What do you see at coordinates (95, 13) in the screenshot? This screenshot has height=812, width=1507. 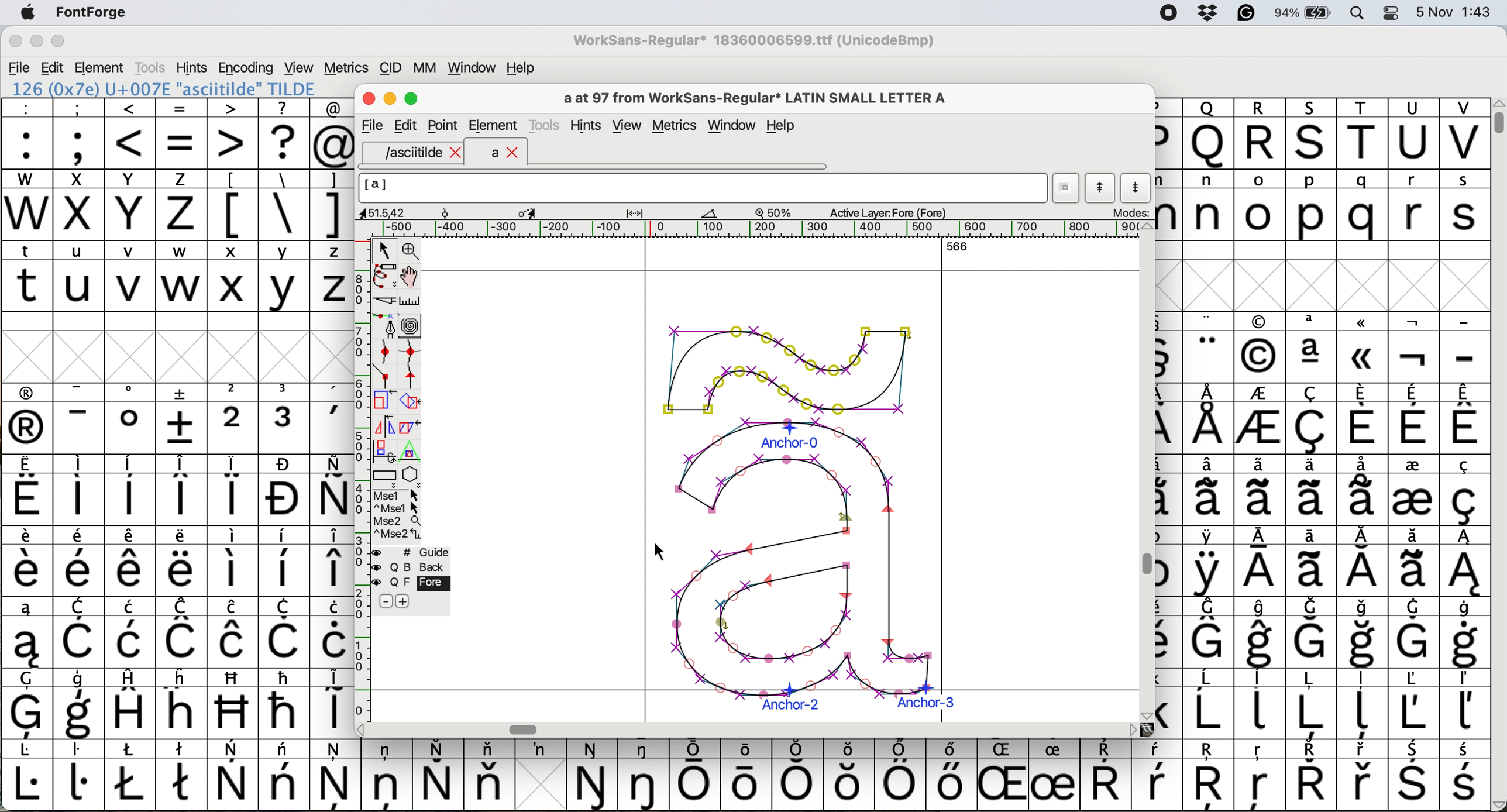 I see `fontforge` at bounding box center [95, 13].